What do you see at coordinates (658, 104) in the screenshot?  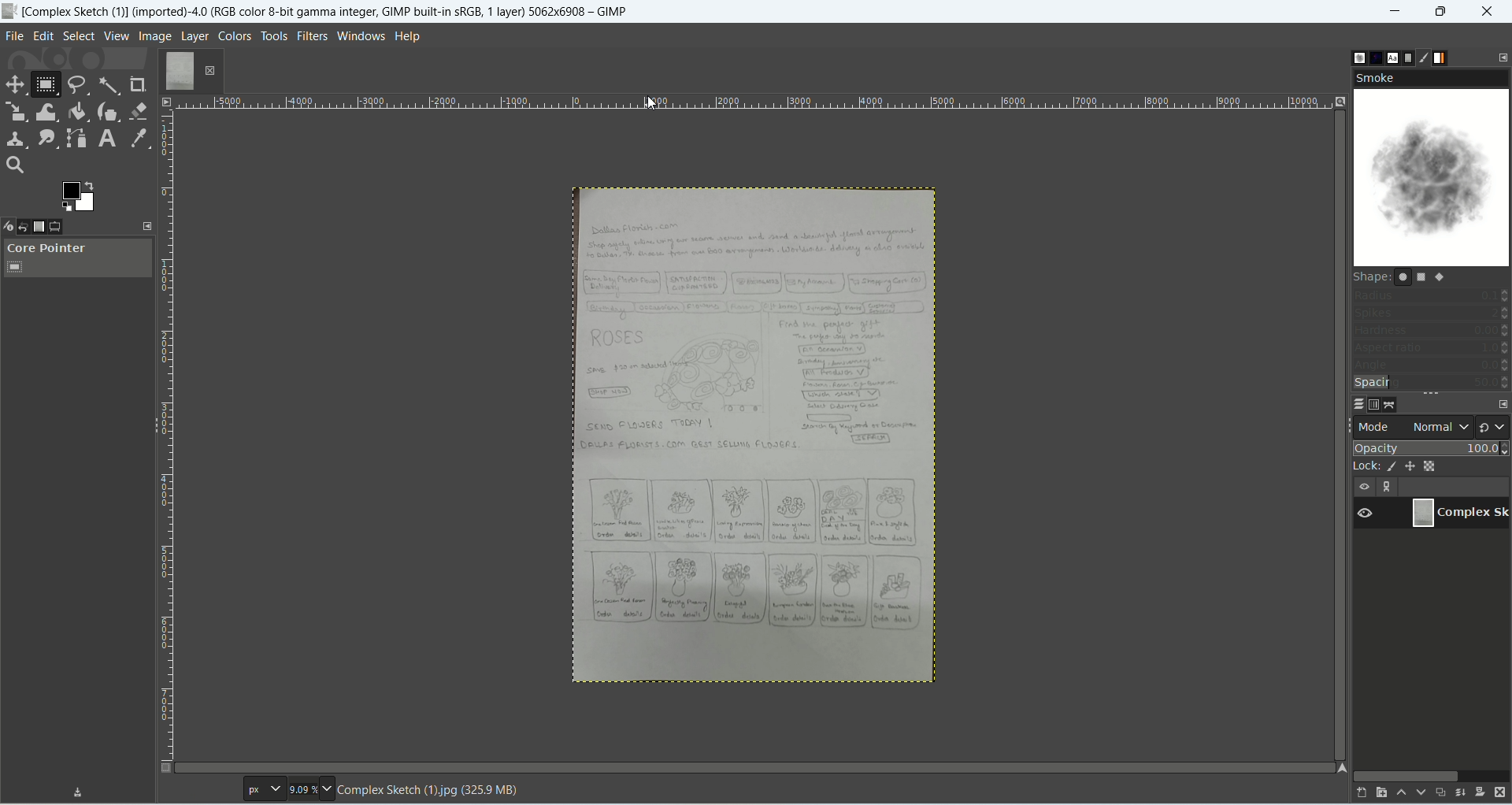 I see `Cursor` at bounding box center [658, 104].